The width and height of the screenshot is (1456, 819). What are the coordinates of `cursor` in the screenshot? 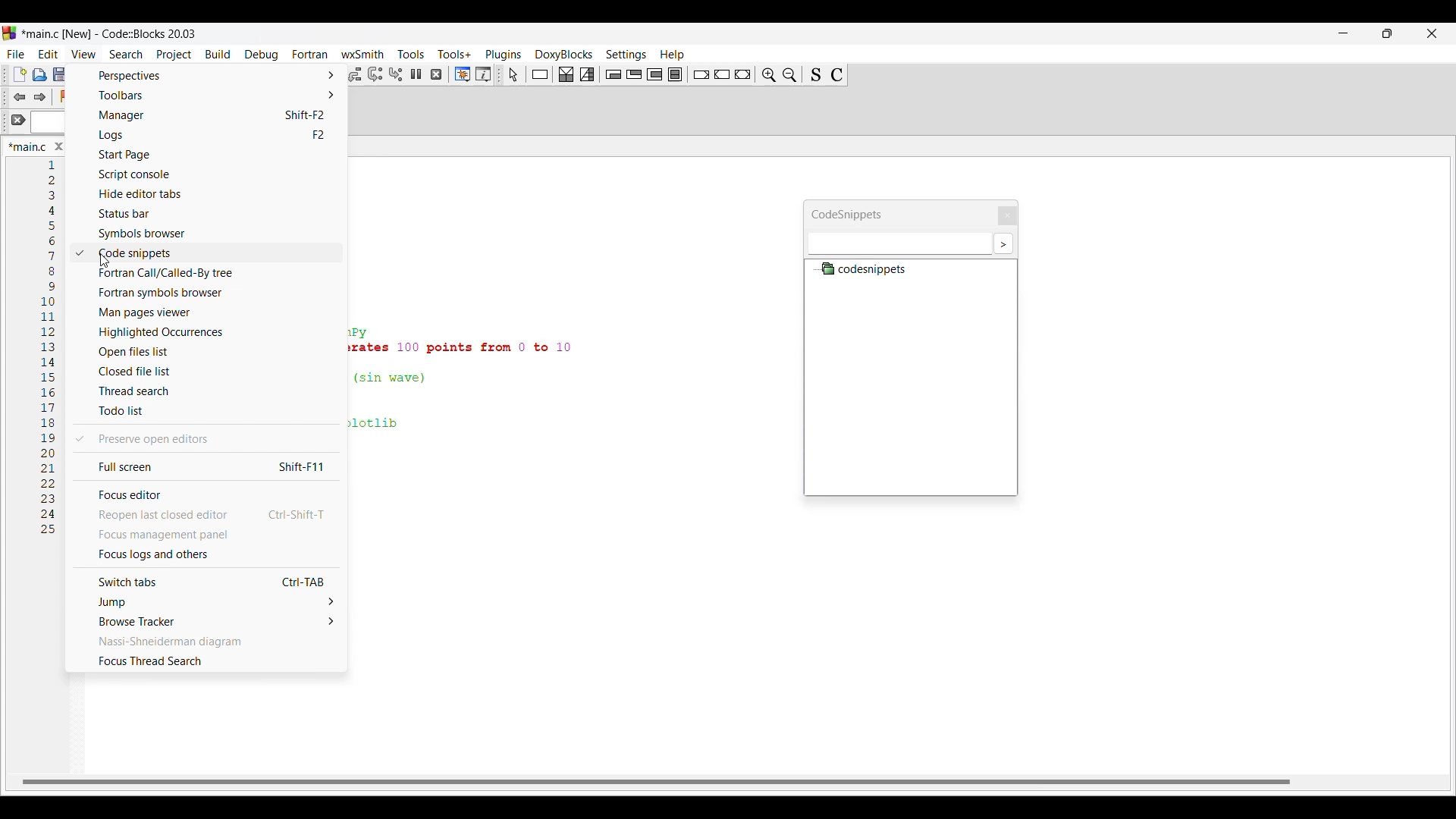 It's located at (102, 263).